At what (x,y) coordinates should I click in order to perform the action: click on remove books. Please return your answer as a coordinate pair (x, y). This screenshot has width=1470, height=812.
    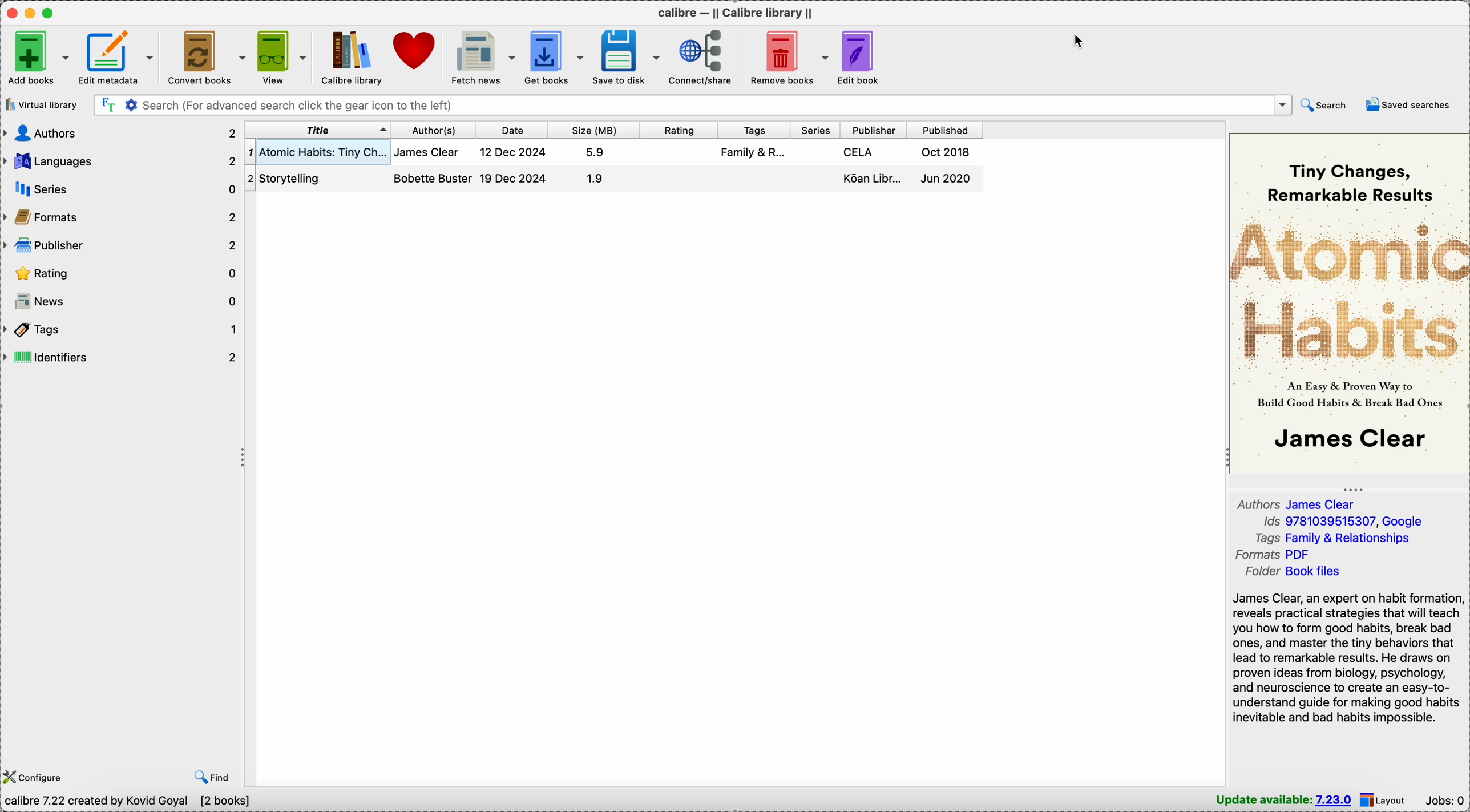
    Looking at the image, I should click on (786, 56).